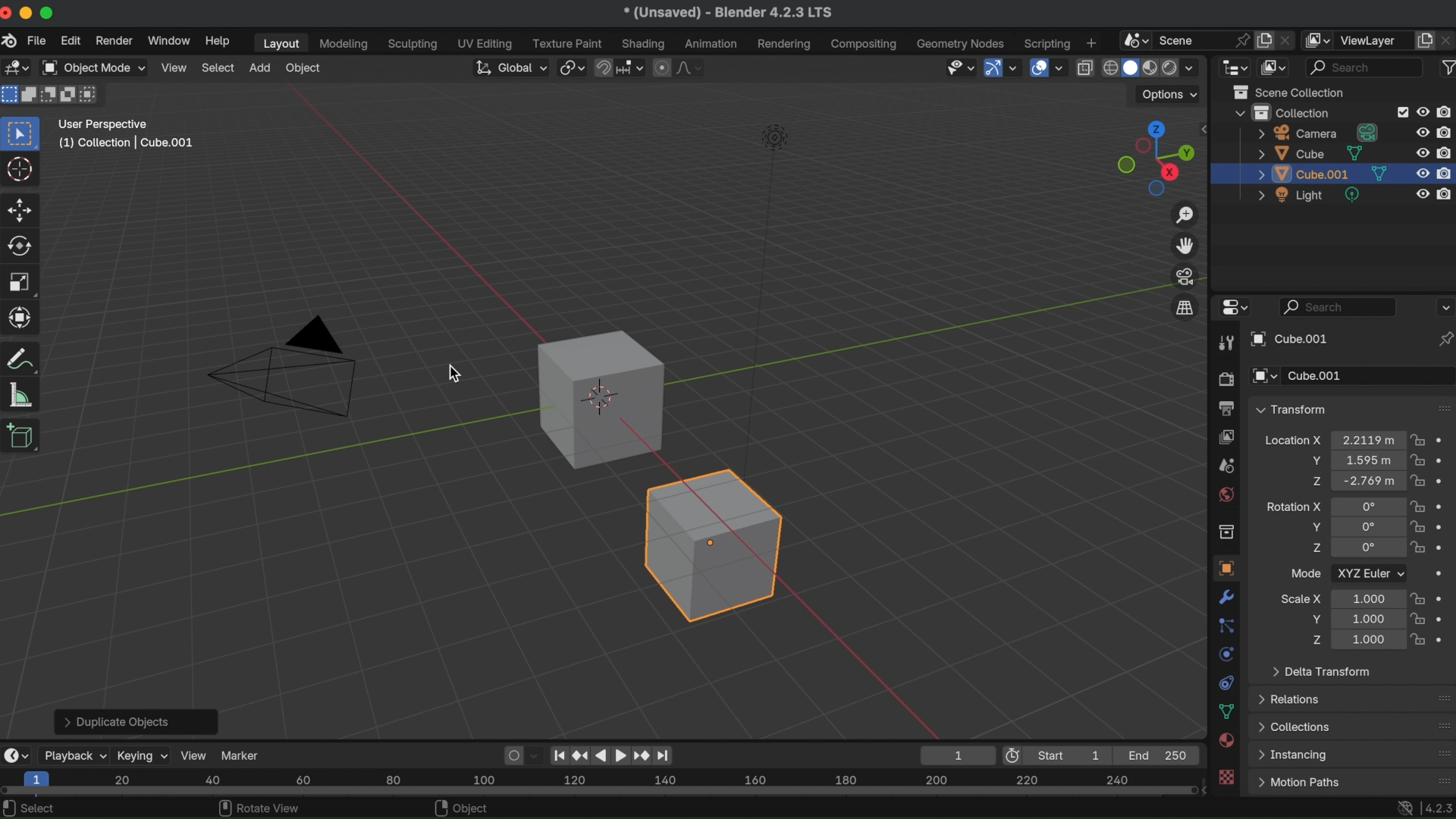 Image resolution: width=1456 pixels, height=819 pixels. What do you see at coordinates (1445, 506) in the screenshot?
I see `animate property` at bounding box center [1445, 506].